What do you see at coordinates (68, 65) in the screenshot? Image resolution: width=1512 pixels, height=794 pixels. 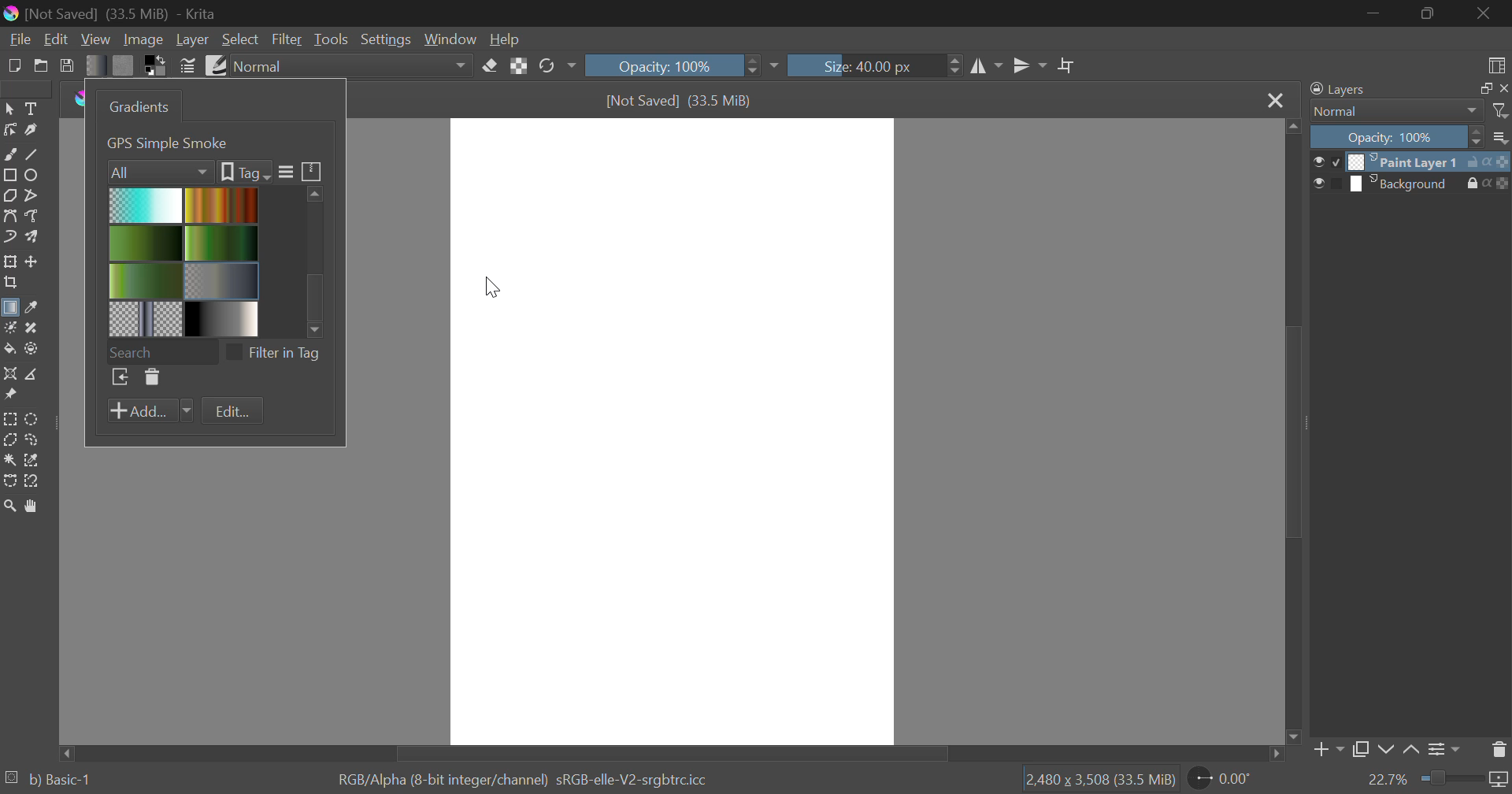 I see `Save` at bounding box center [68, 65].